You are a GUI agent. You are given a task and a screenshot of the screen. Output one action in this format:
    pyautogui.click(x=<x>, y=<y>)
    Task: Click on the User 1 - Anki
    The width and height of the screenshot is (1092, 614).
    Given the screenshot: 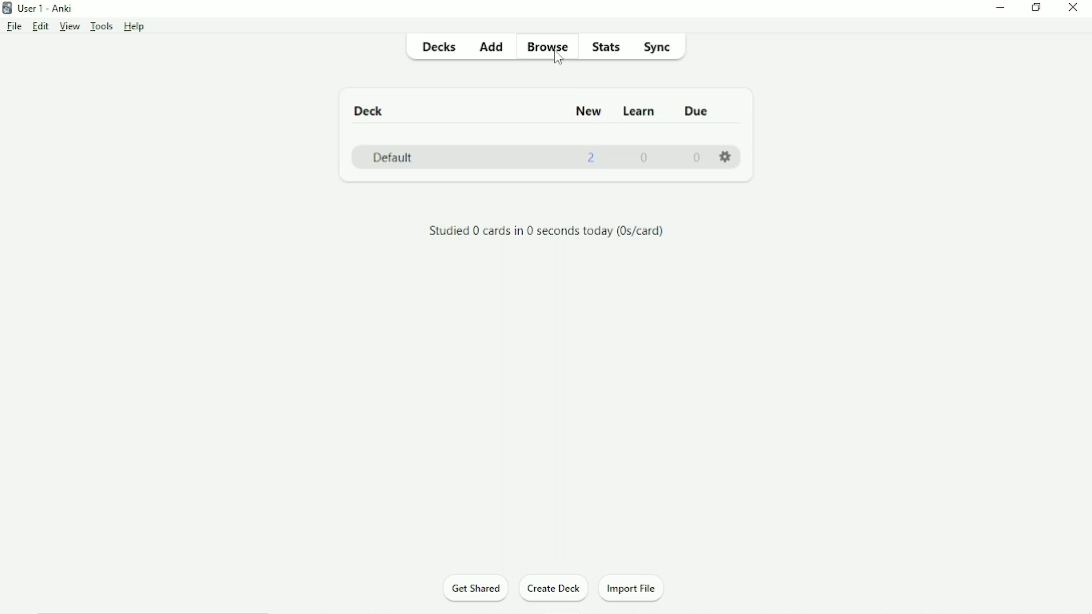 What is the action you would take?
    pyautogui.click(x=43, y=8)
    